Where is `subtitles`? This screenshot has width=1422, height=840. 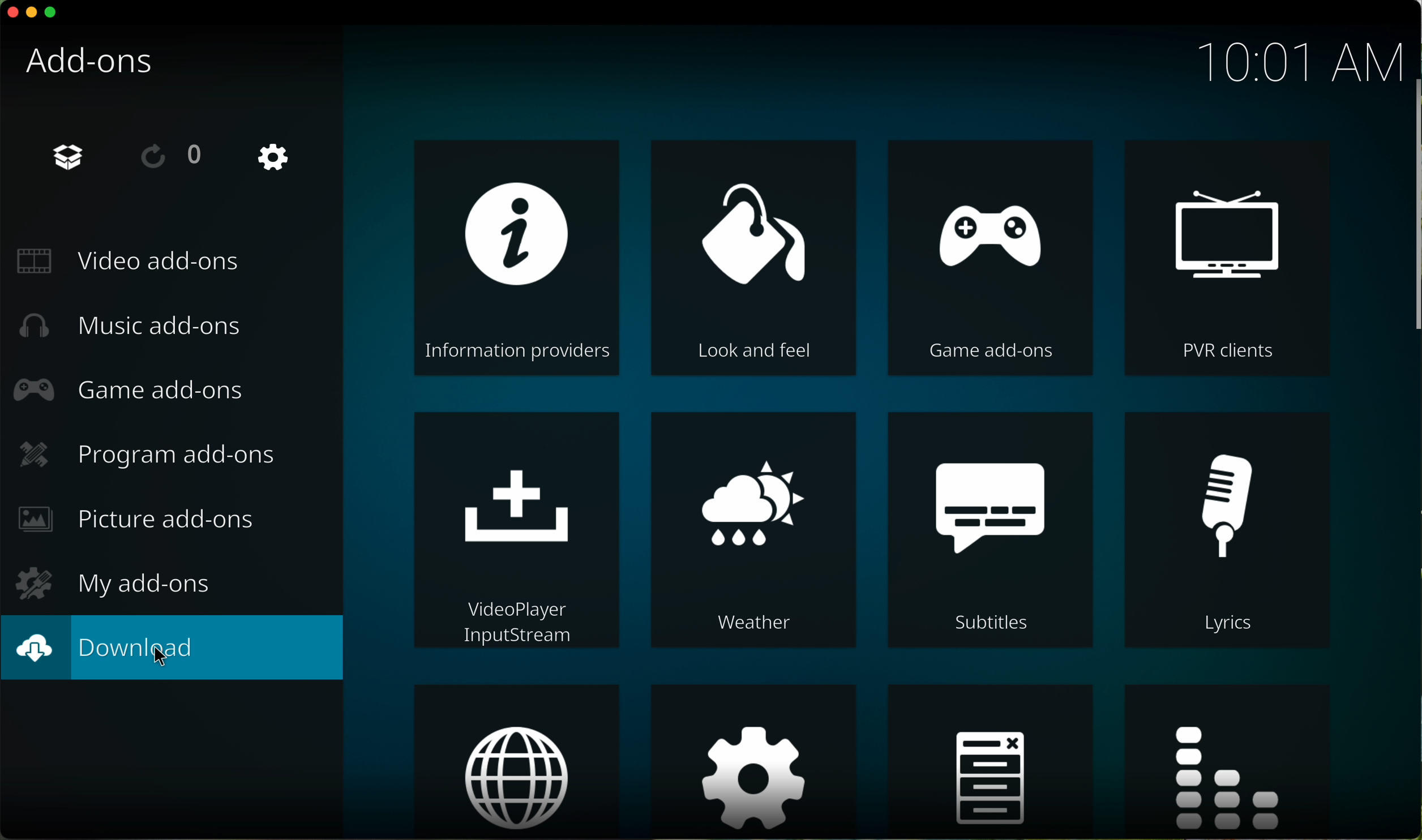 subtitles is located at coordinates (995, 532).